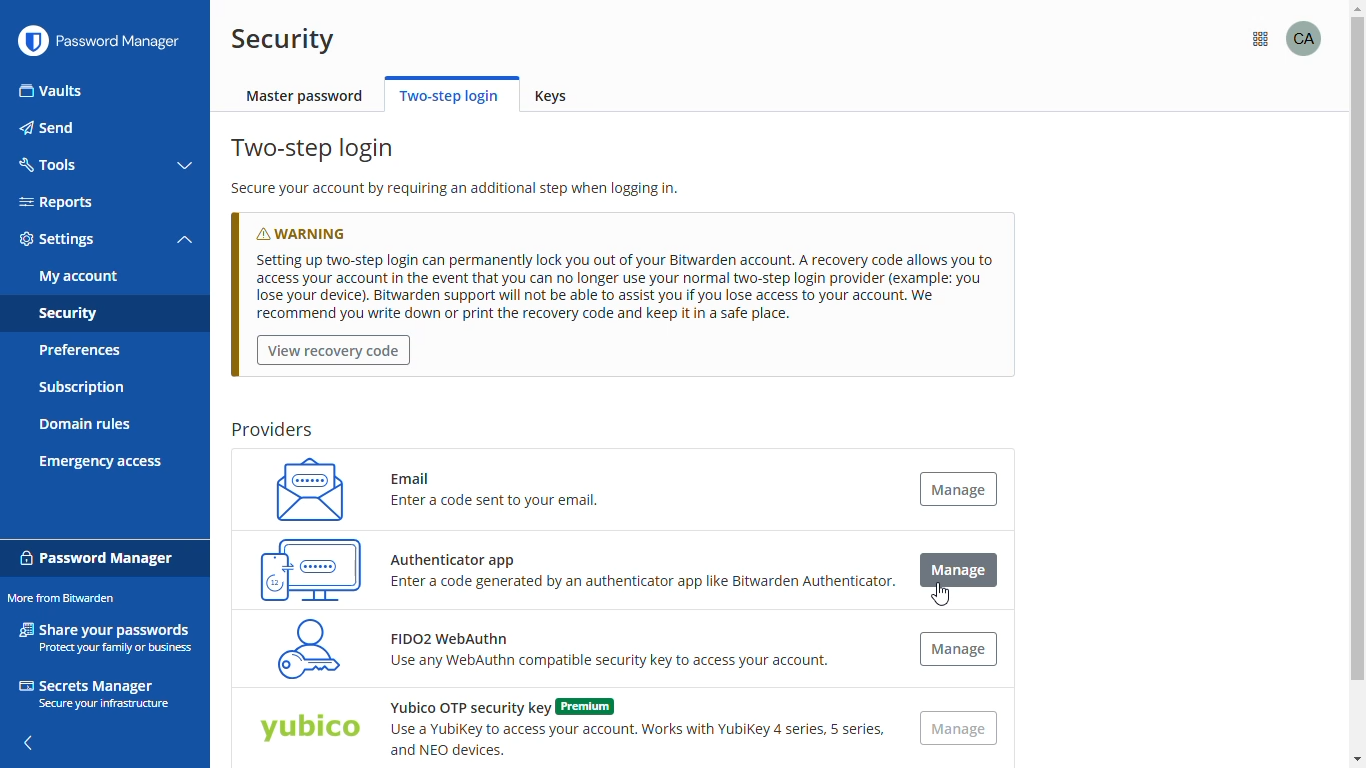 The image size is (1366, 768). I want to click on tools, so click(46, 163).